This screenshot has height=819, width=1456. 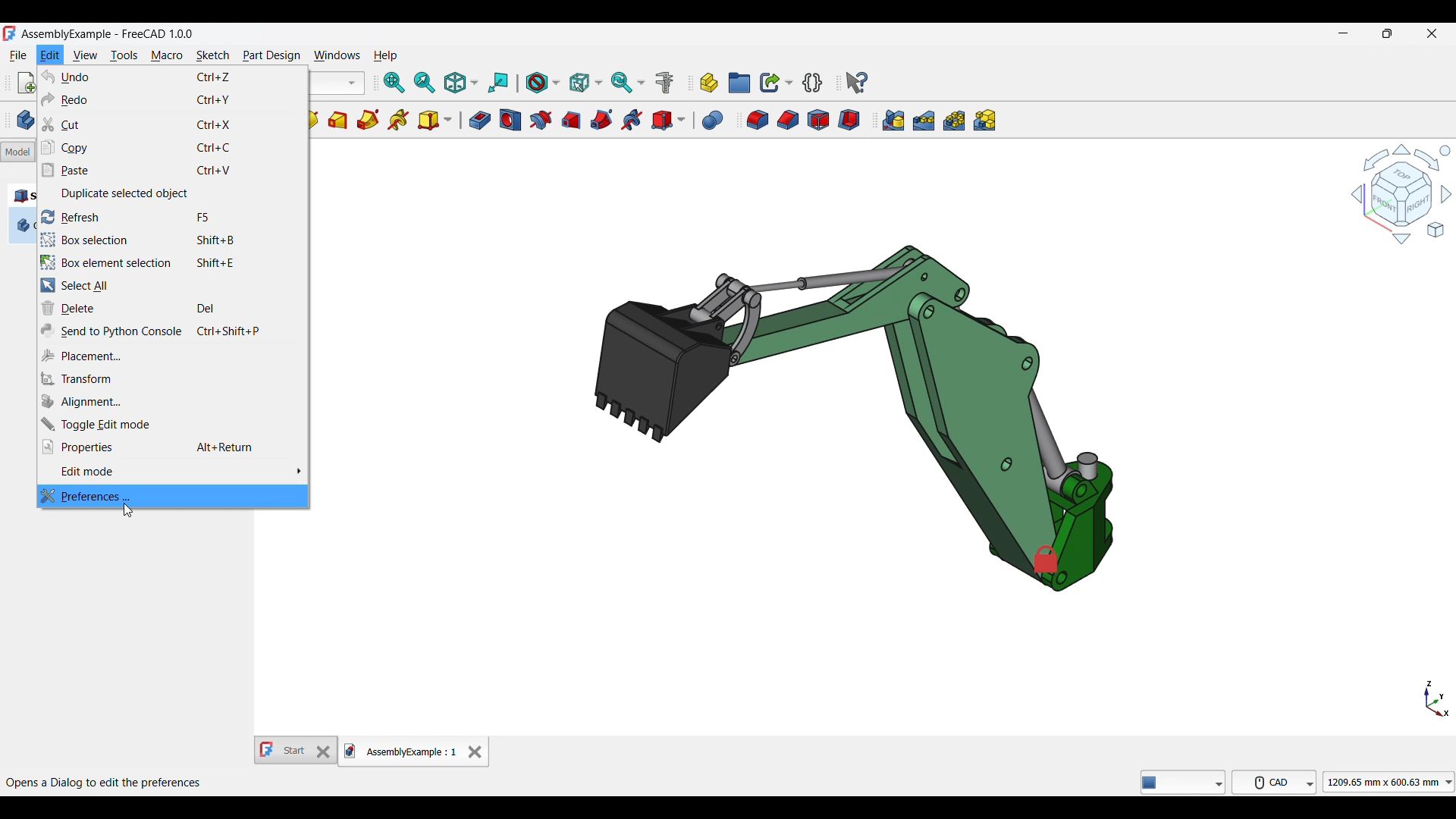 I want to click on Paste, so click(x=174, y=170).